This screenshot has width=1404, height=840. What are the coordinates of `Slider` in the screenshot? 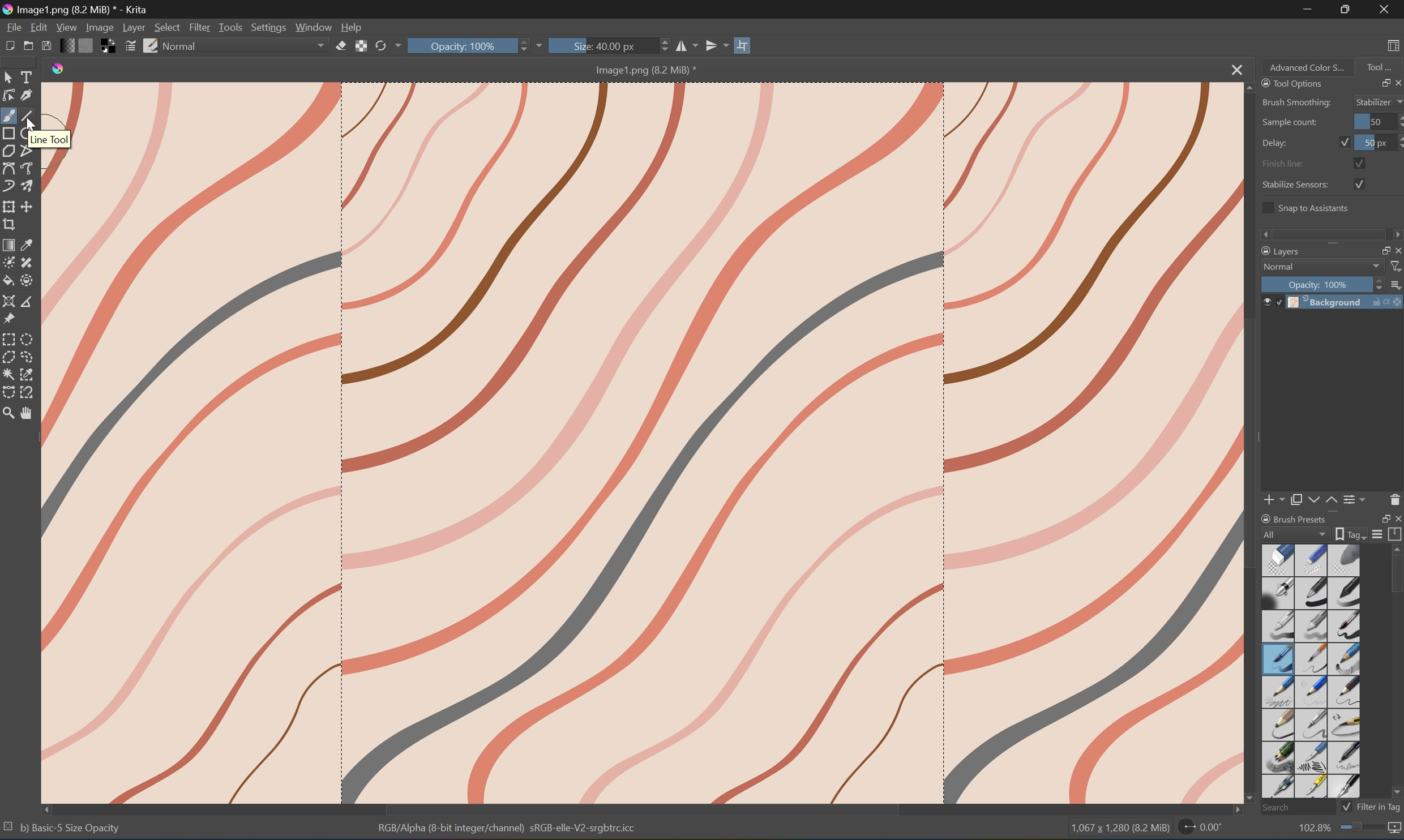 It's located at (1396, 143).